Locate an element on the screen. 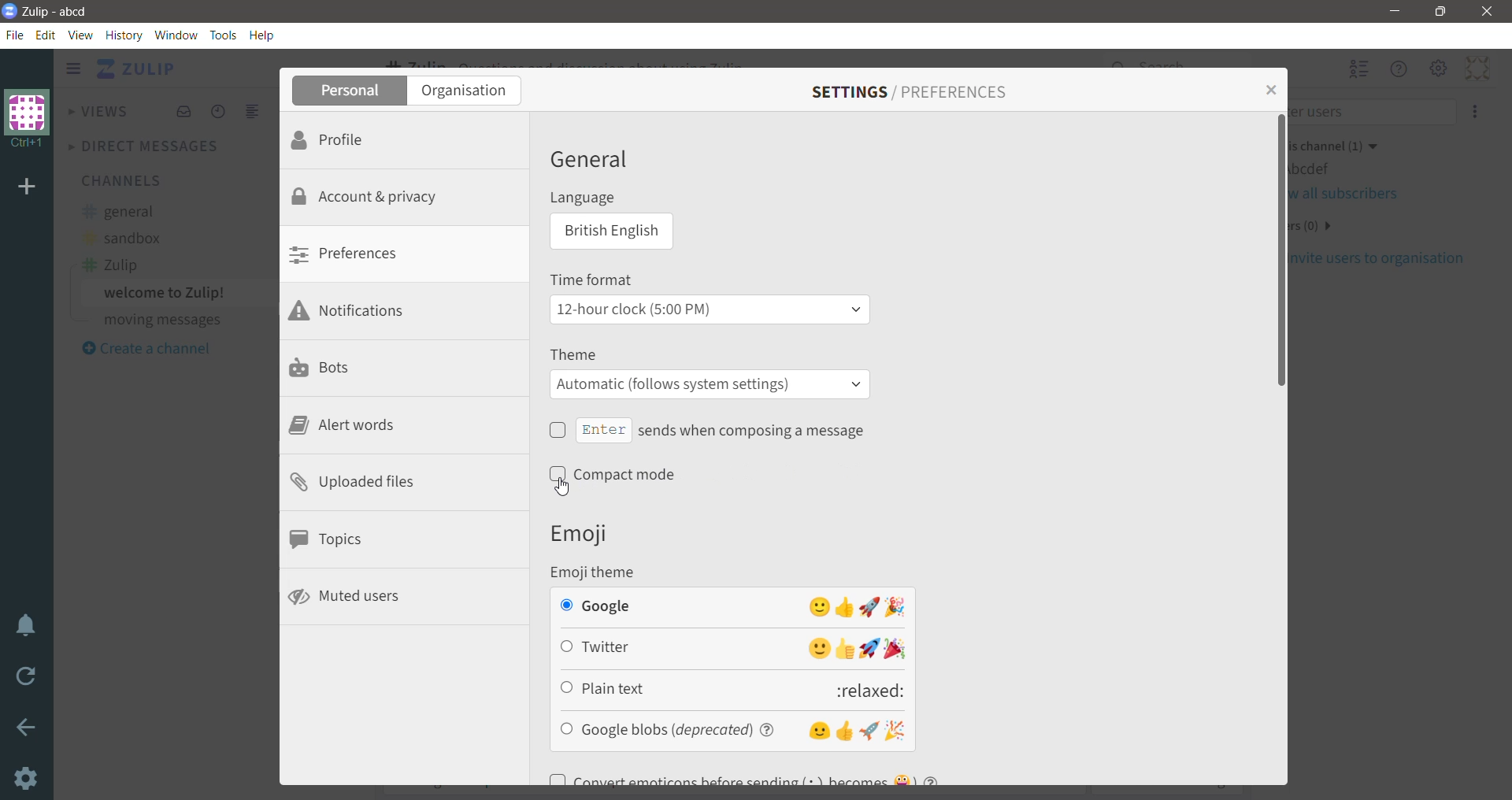 This screenshot has height=800, width=1512. Organization is located at coordinates (470, 91).